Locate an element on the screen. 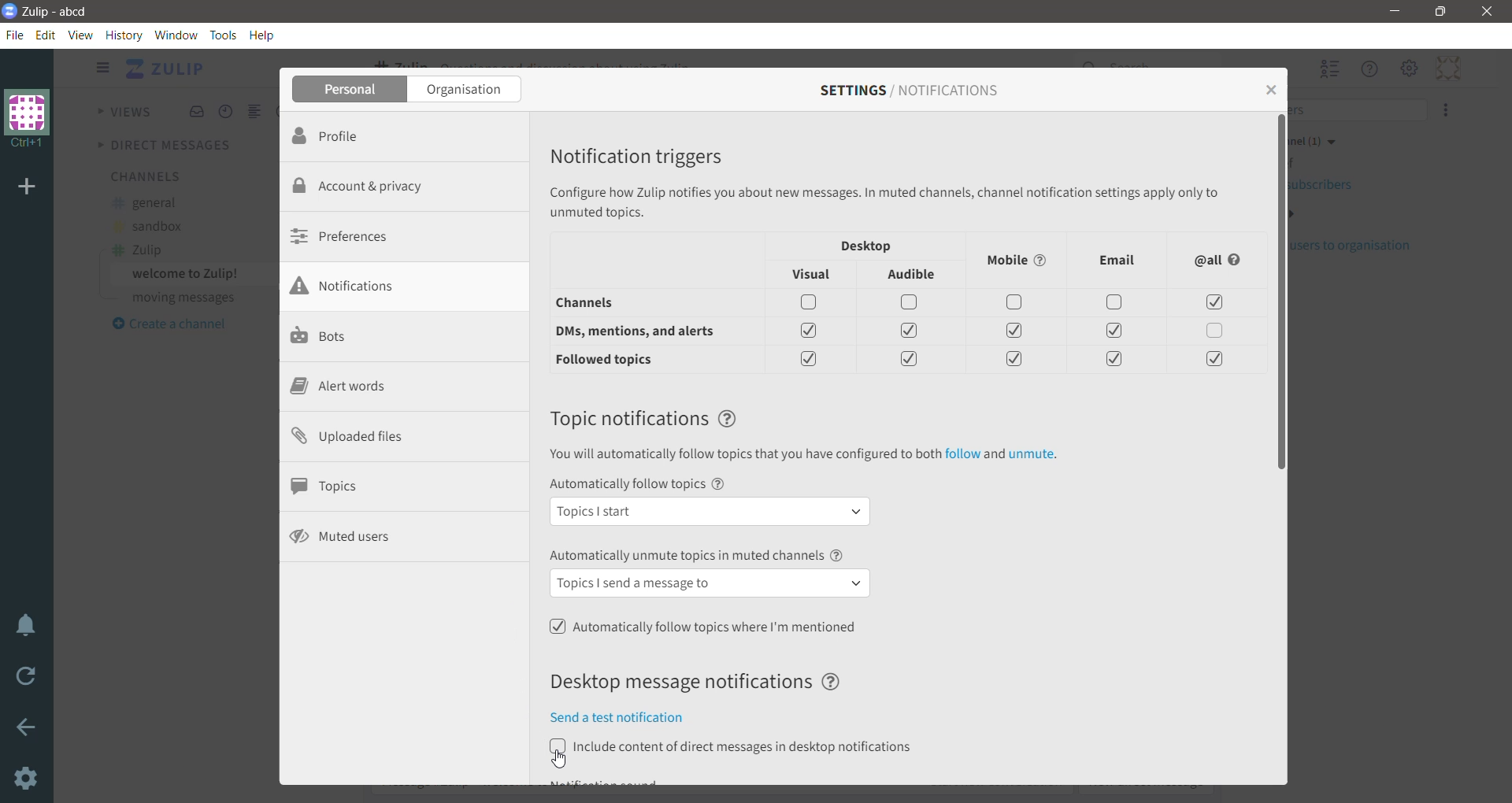 This screenshot has width=1512, height=803. check box is located at coordinates (1114, 360).